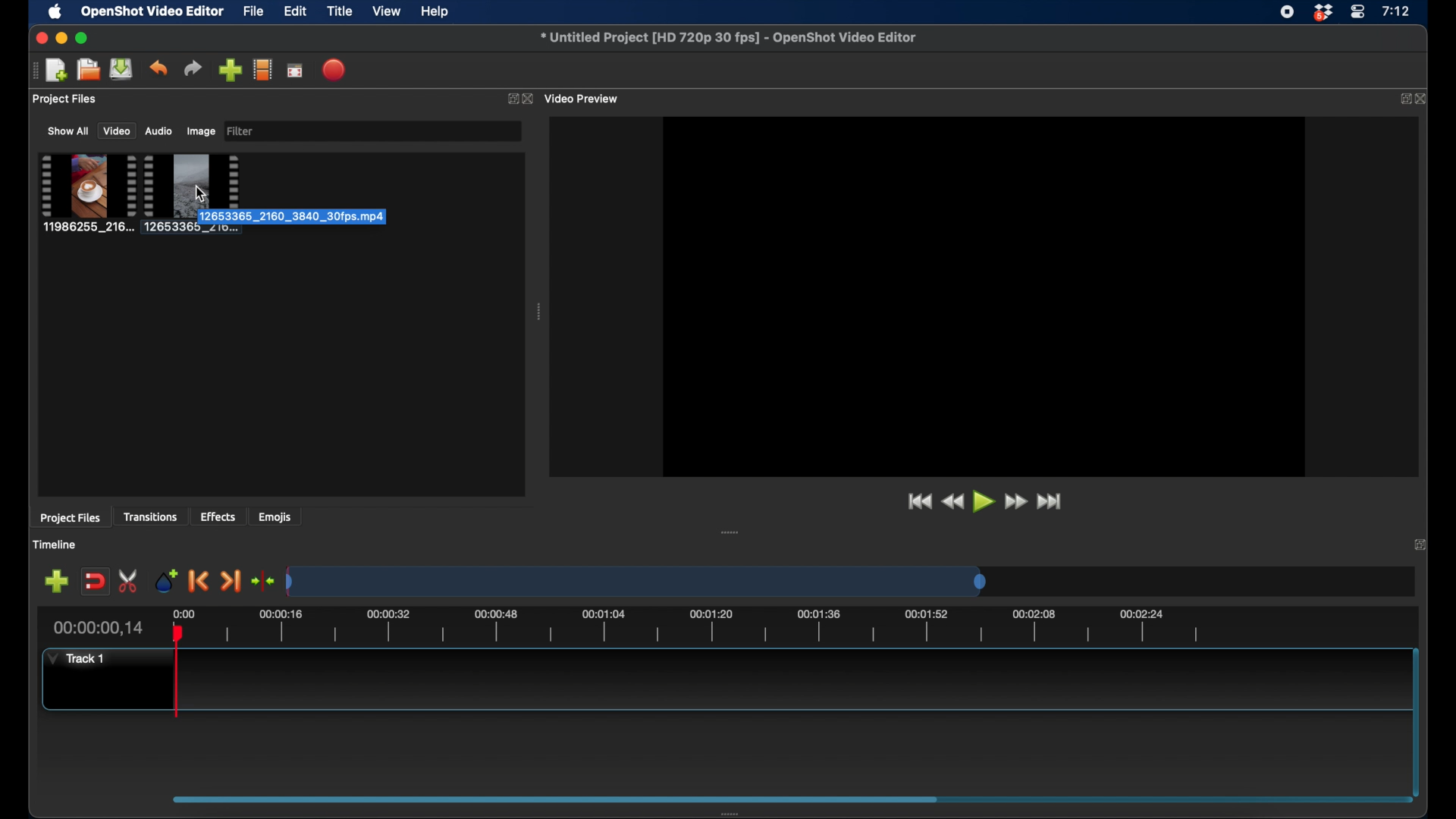 This screenshot has height=819, width=1456. What do you see at coordinates (1420, 544) in the screenshot?
I see `expand` at bounding box center [1420, 544].